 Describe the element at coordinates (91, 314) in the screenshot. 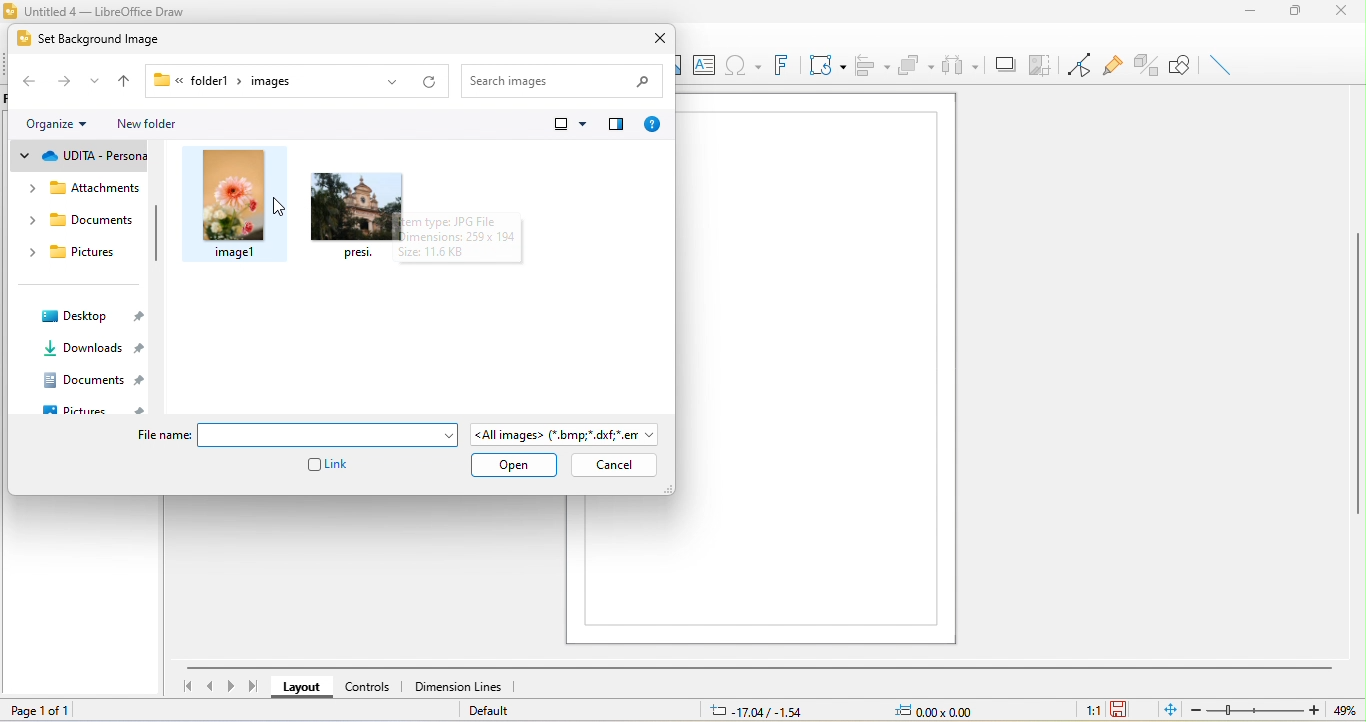

I see `desktop` at that location.